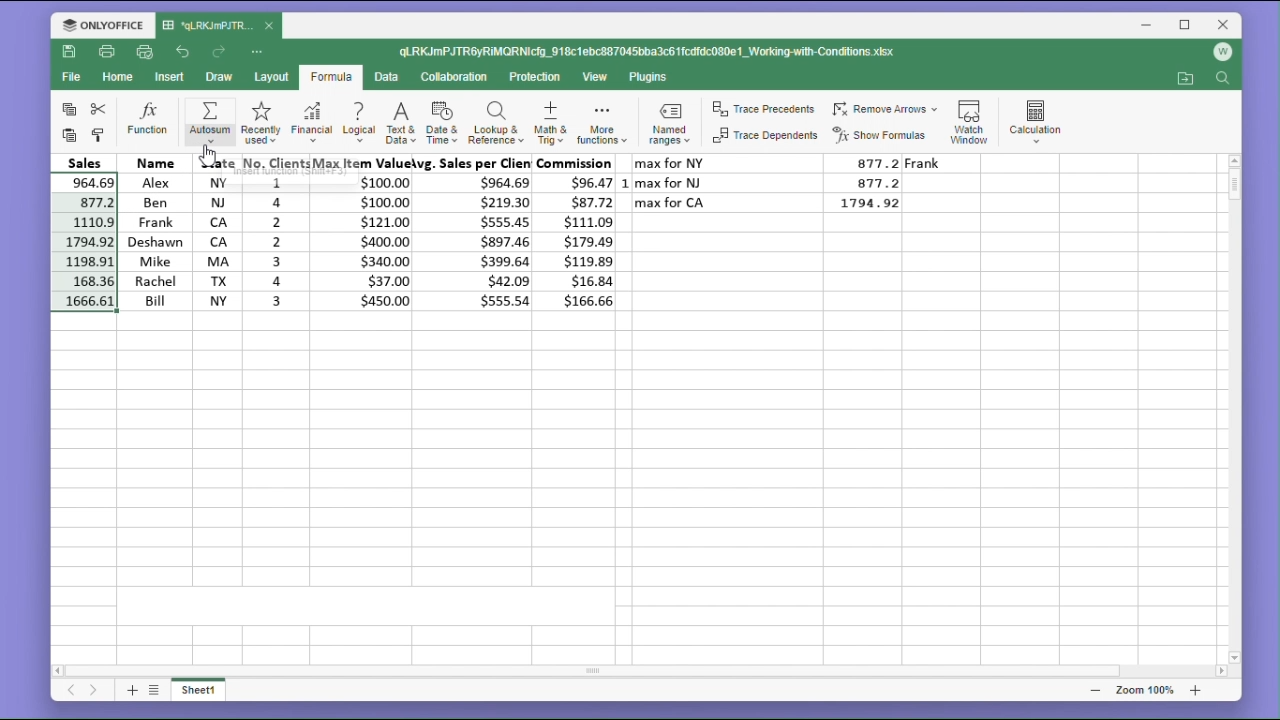 This screenshot has height=720, width=1280. I want to click on cell selection, so click(84, 243).